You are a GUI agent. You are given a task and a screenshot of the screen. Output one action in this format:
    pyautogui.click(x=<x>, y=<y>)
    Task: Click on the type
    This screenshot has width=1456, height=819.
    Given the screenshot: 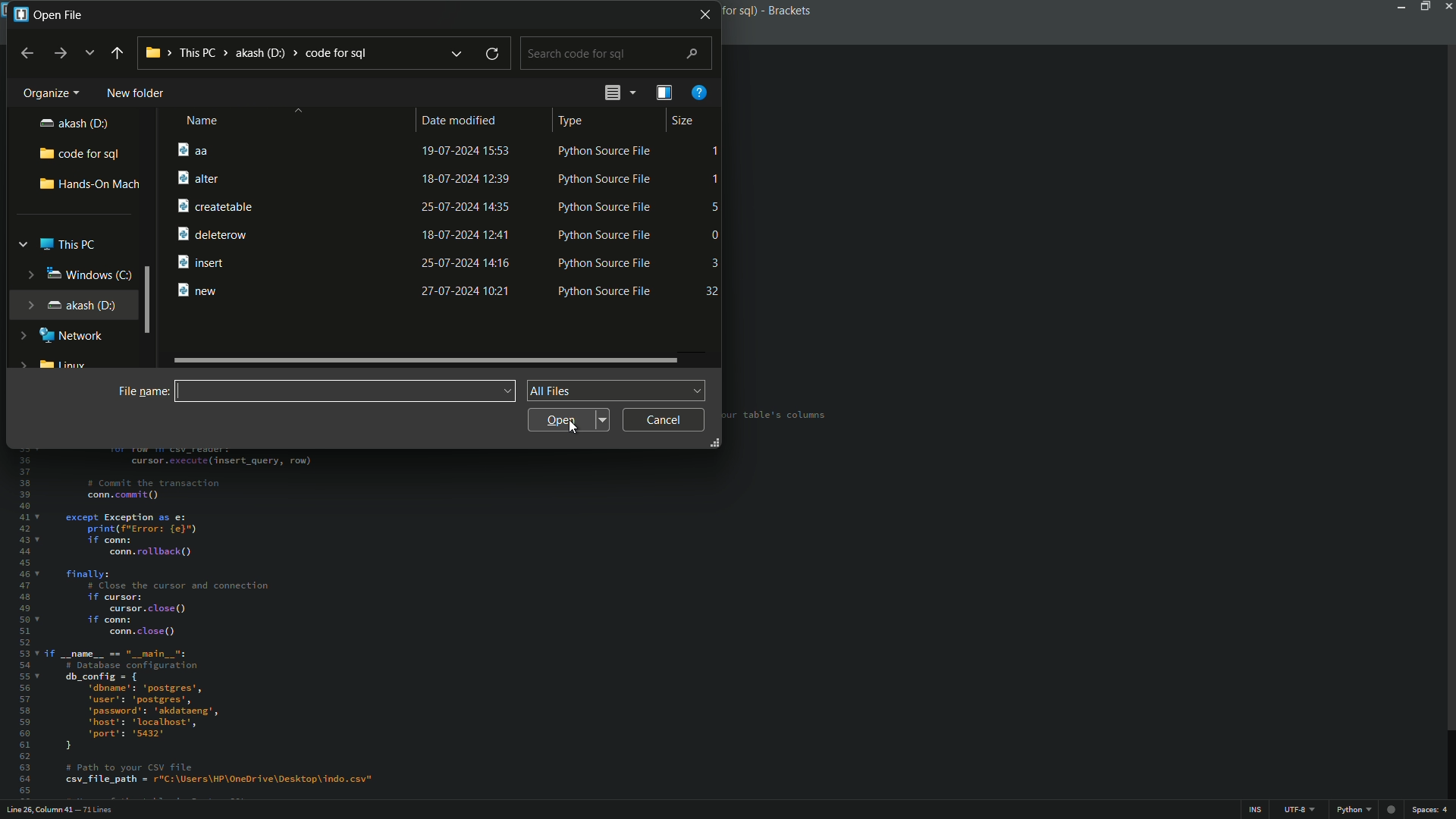 What is the action you would take?
    pyautogui.click(x=570, y=122)
    